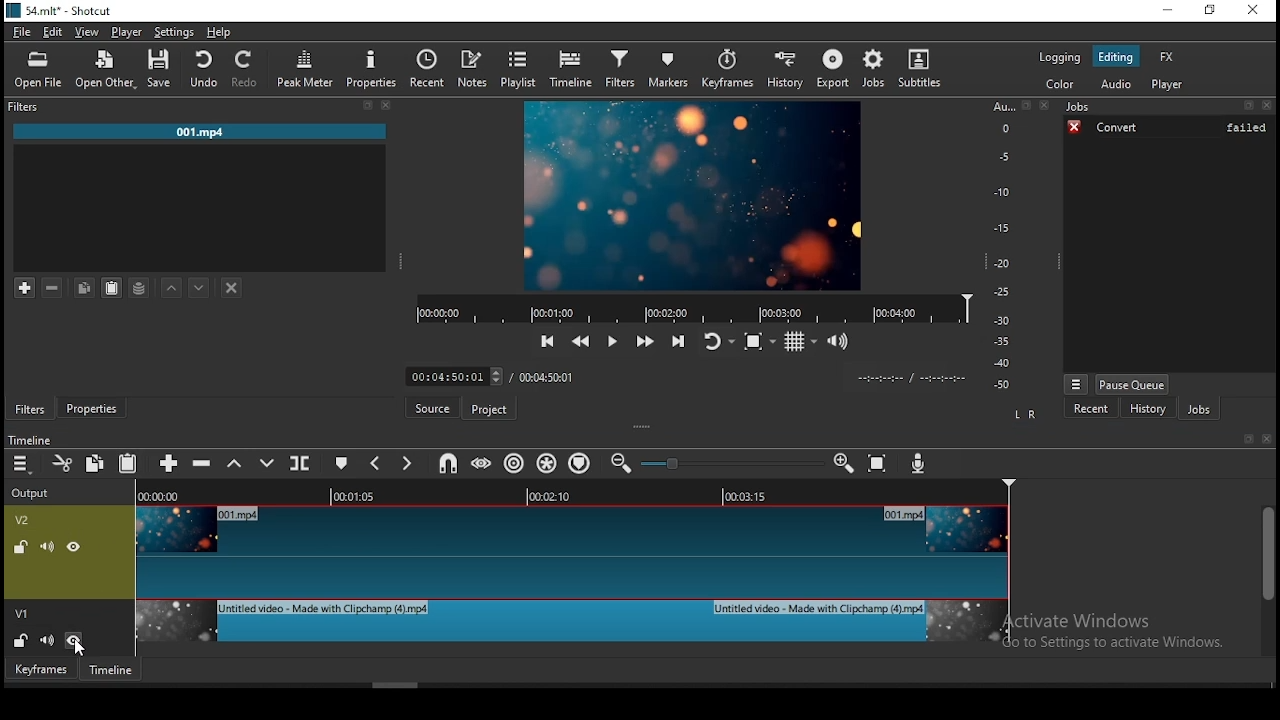 The image size is (1280, 720). Describe the element at coordinates (219, 32) in the screenshot. I see `help` at that location.